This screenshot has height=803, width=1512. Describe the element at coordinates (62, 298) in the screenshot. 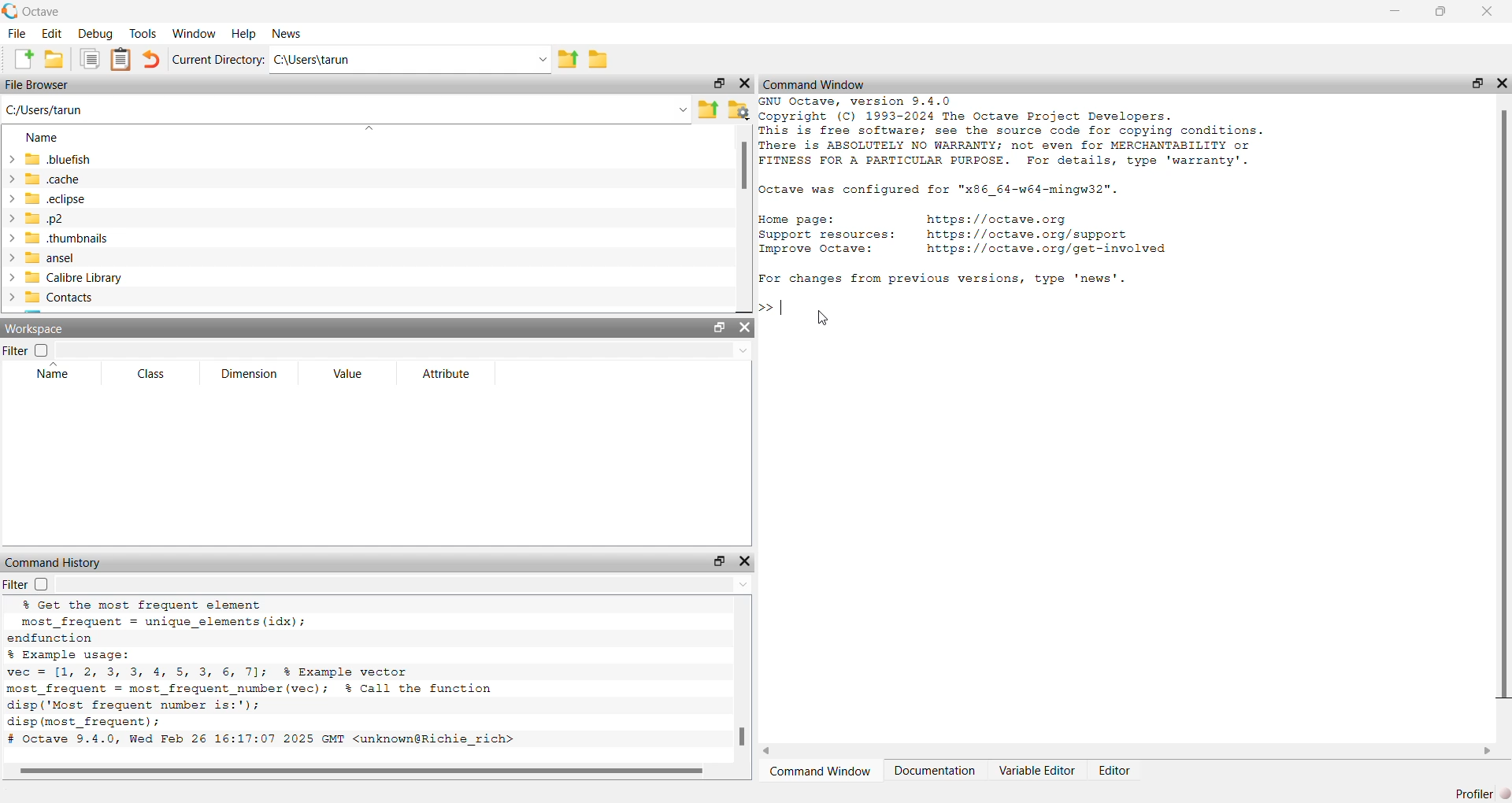

I see `Contacts` at that location.